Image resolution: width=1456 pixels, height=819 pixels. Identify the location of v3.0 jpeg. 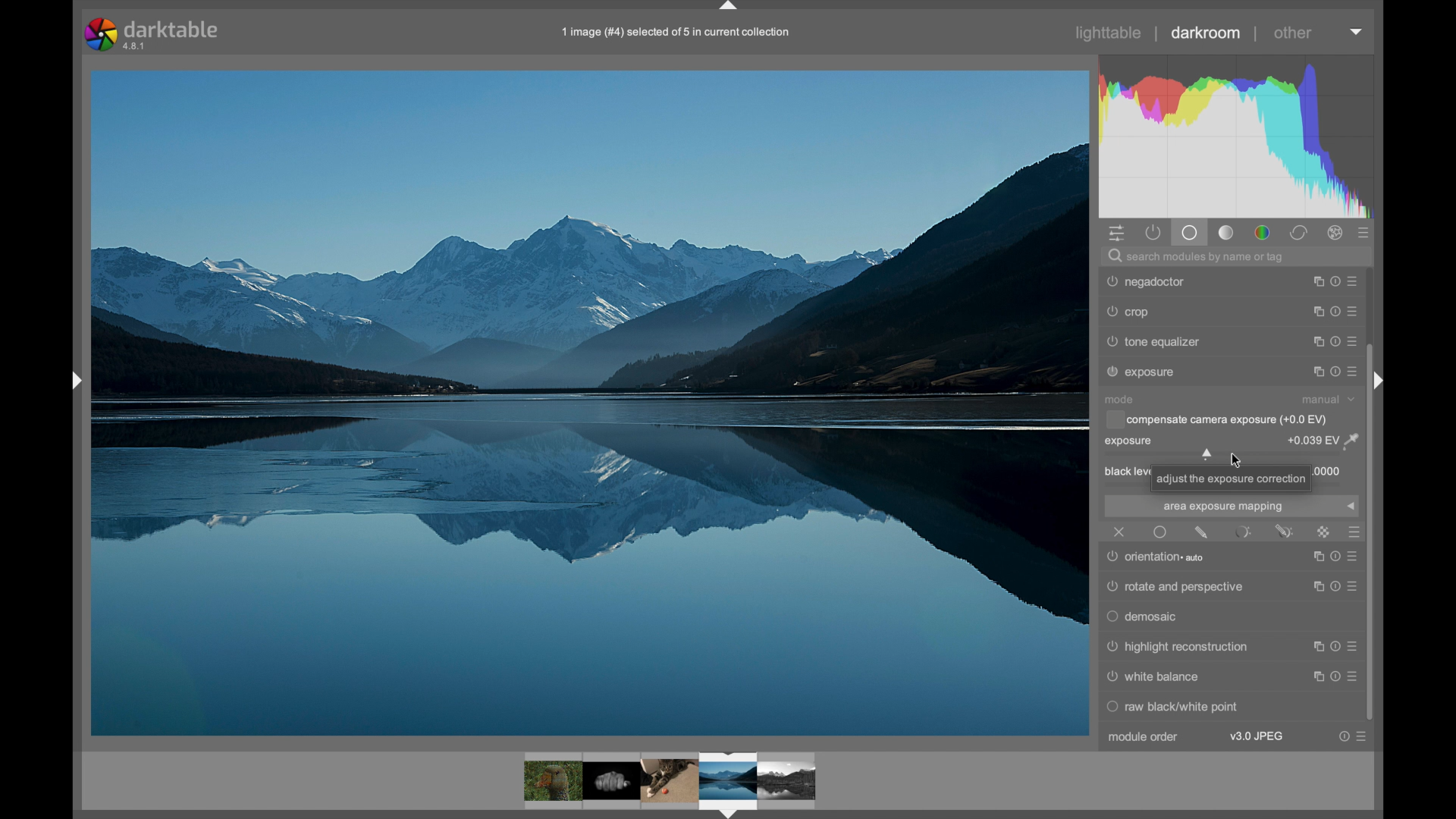
(1258, 736).